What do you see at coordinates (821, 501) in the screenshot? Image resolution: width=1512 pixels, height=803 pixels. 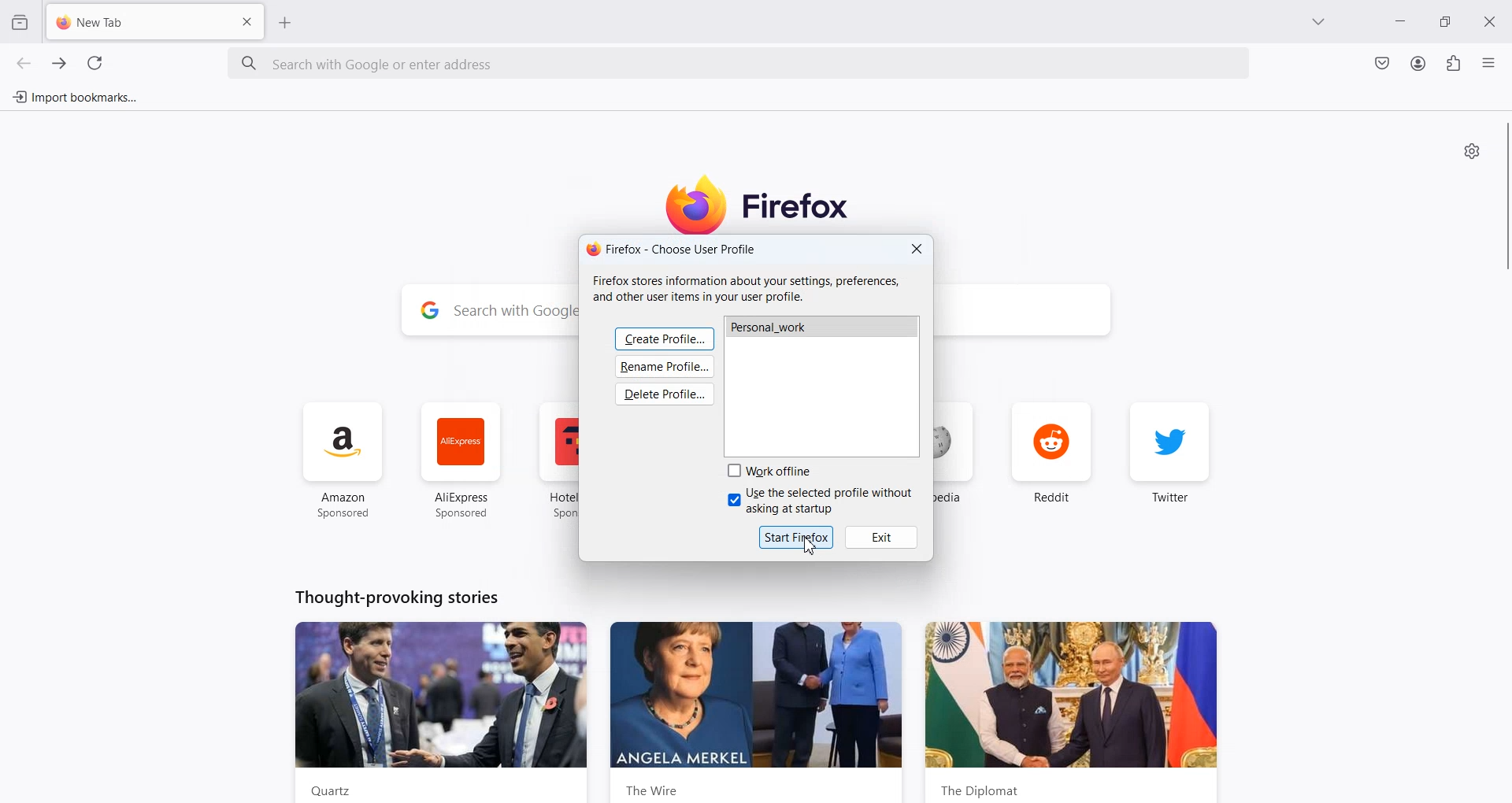 I see `Use the selected profile without asking a startup` at bounding box center [821, 501].